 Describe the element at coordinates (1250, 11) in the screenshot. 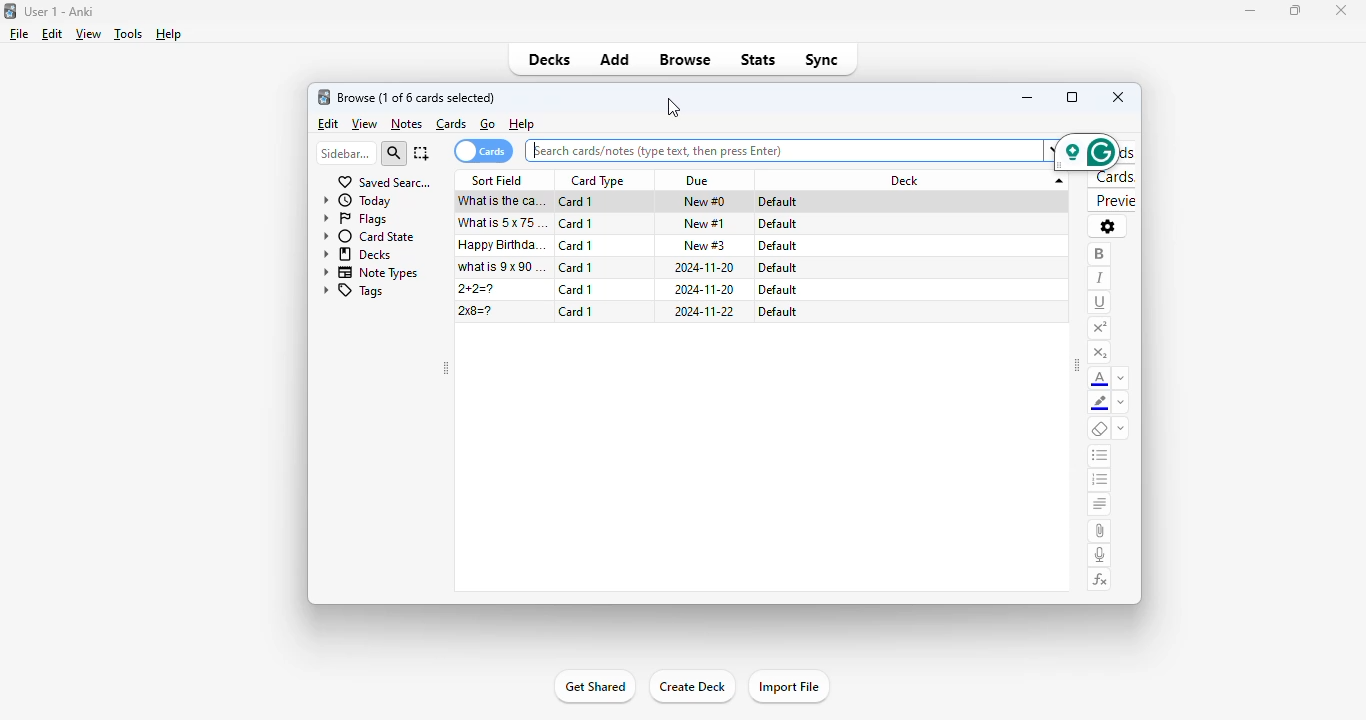

I see `minimize` at that location.